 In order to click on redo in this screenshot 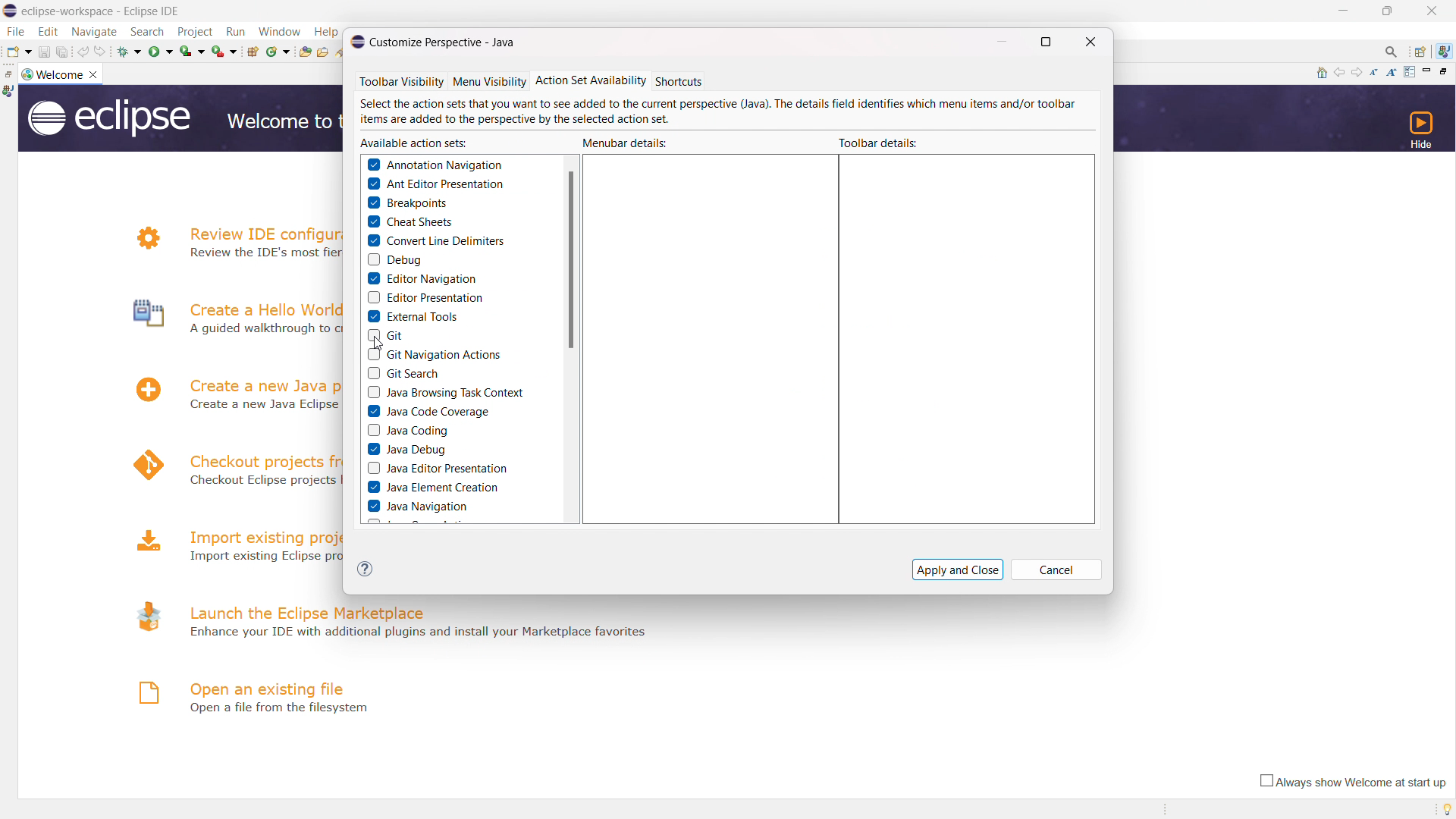, I will do `click(102, 52)`.